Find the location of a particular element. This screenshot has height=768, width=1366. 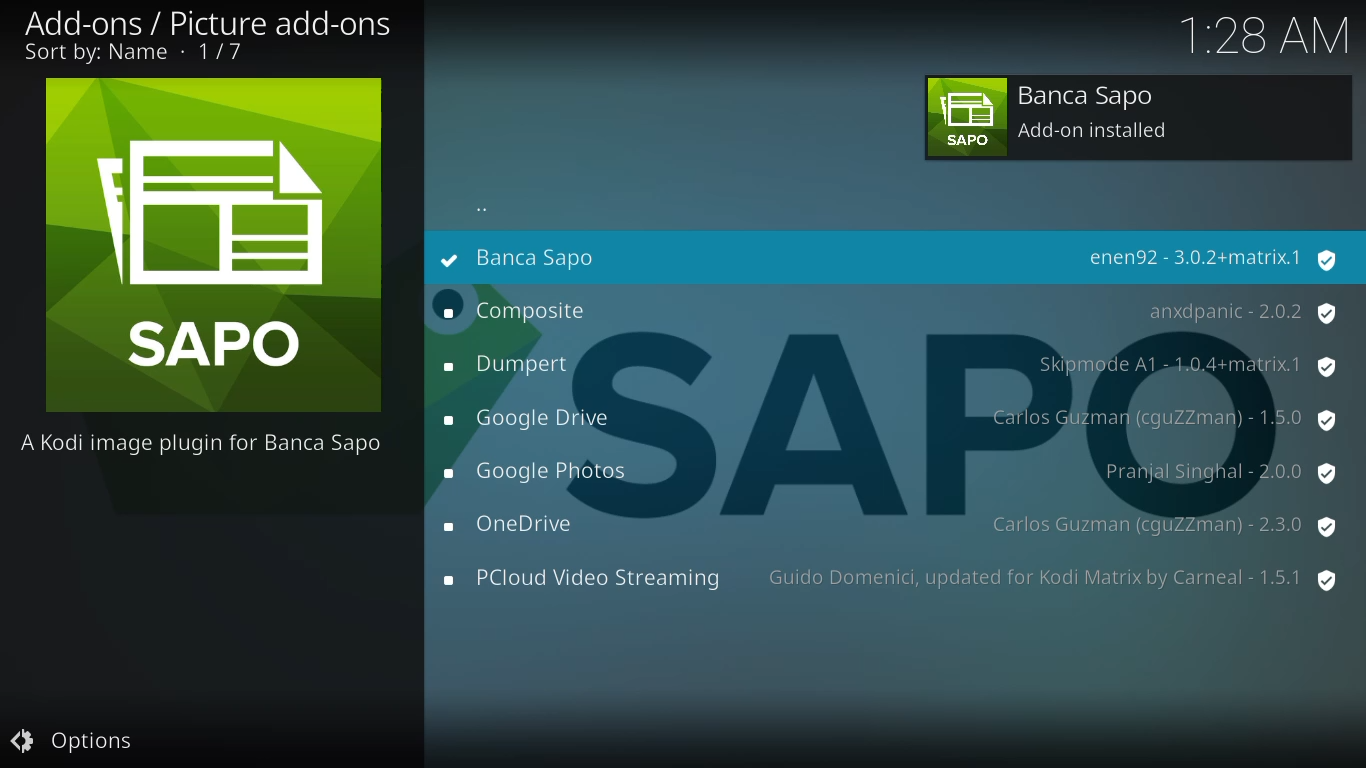

installed is located at coordinates (446, 259).